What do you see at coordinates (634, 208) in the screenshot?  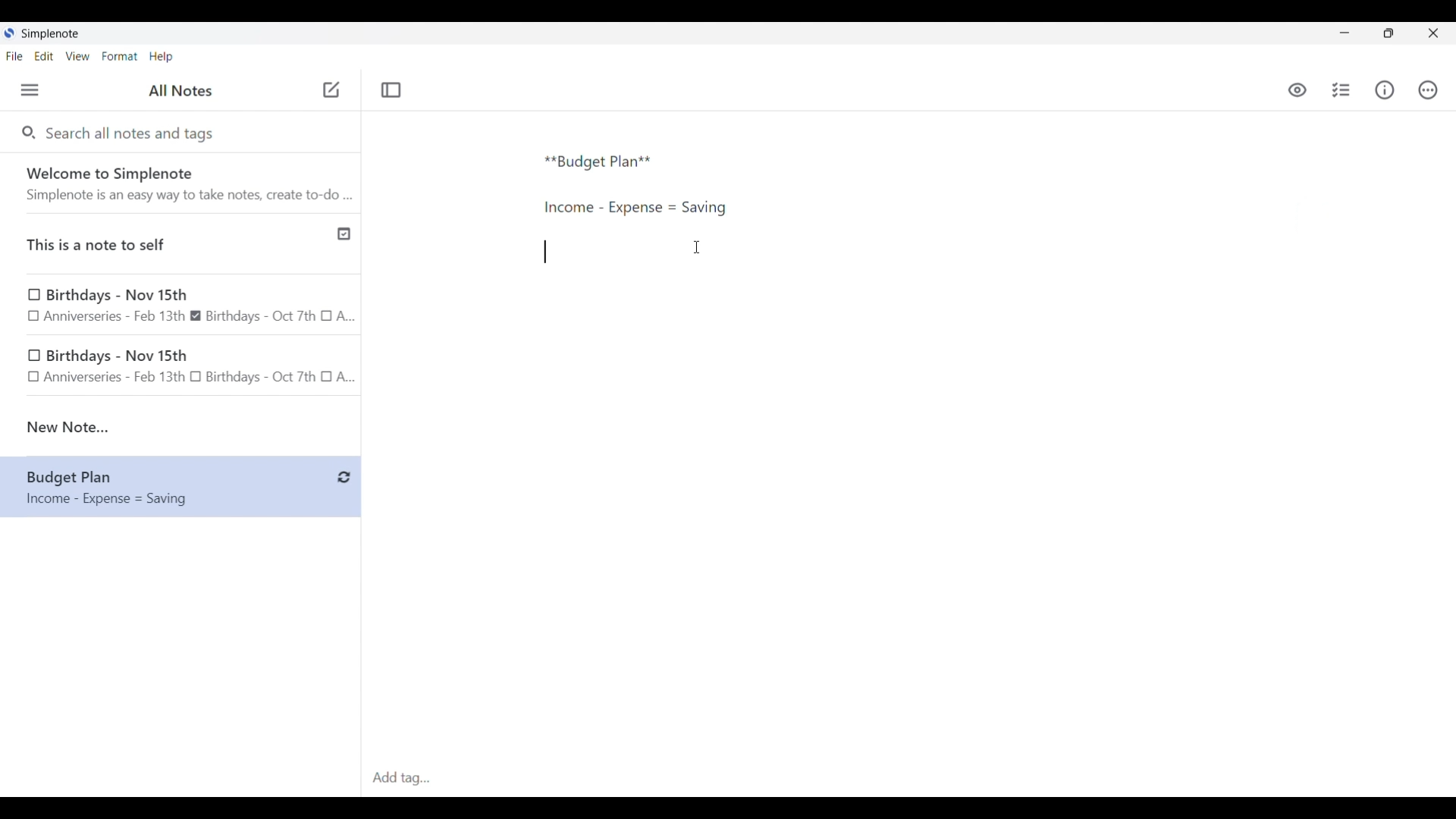 I see `More text typed in` at bounding box center [634, 208].